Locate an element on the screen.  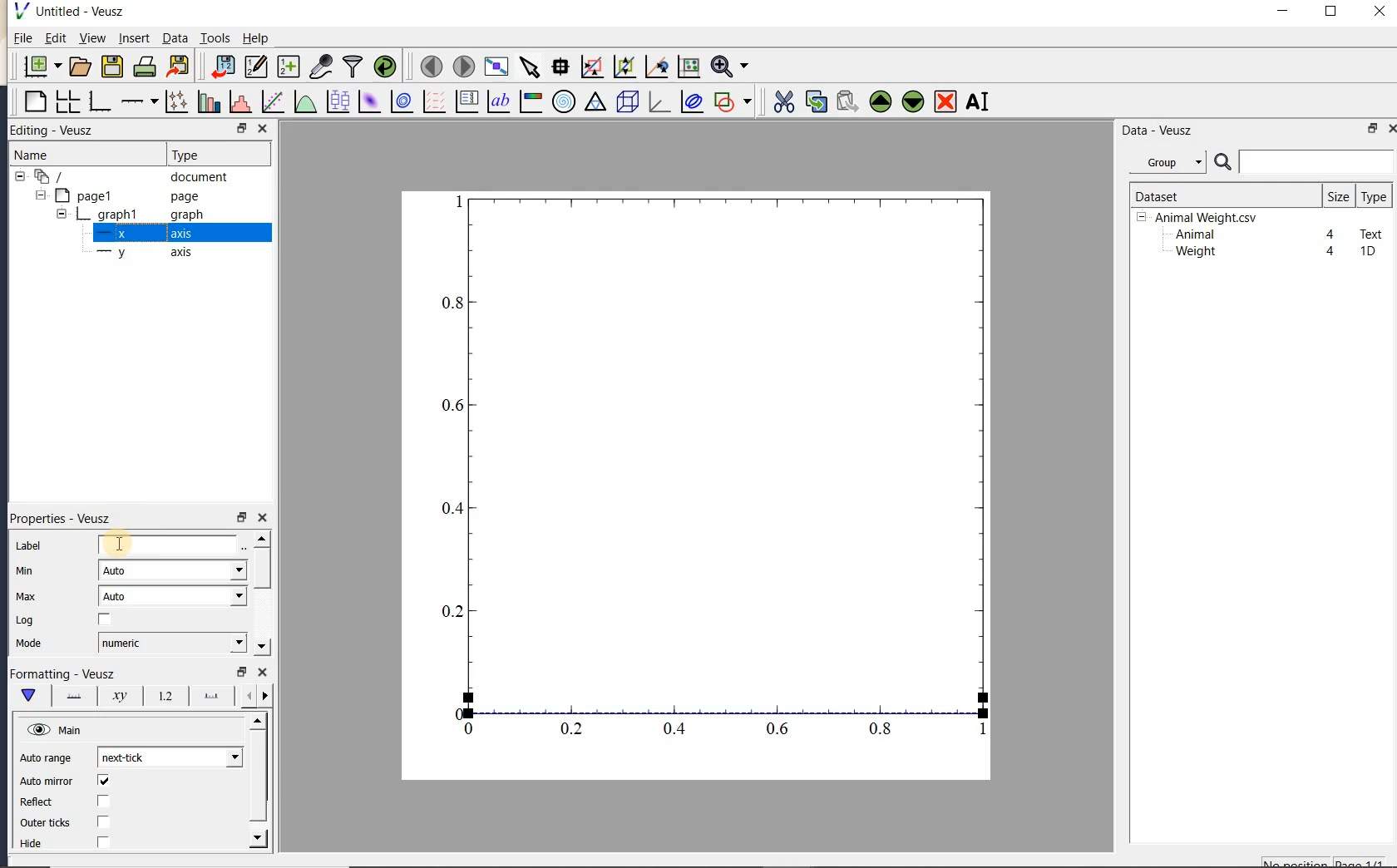
move the selected widget up is located at coordinates (881, 102).